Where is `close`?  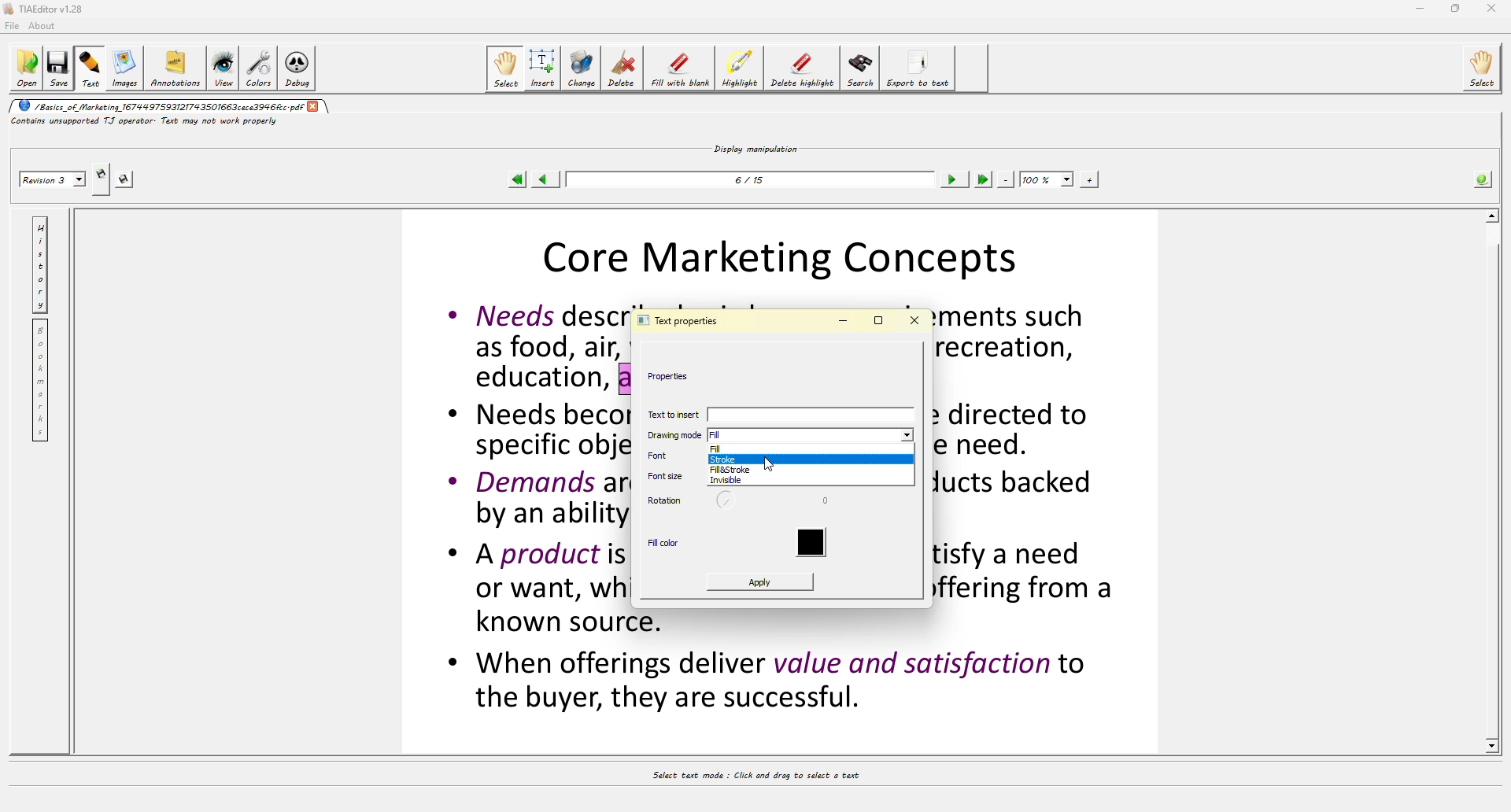 close is located at coordinates (316, 106).